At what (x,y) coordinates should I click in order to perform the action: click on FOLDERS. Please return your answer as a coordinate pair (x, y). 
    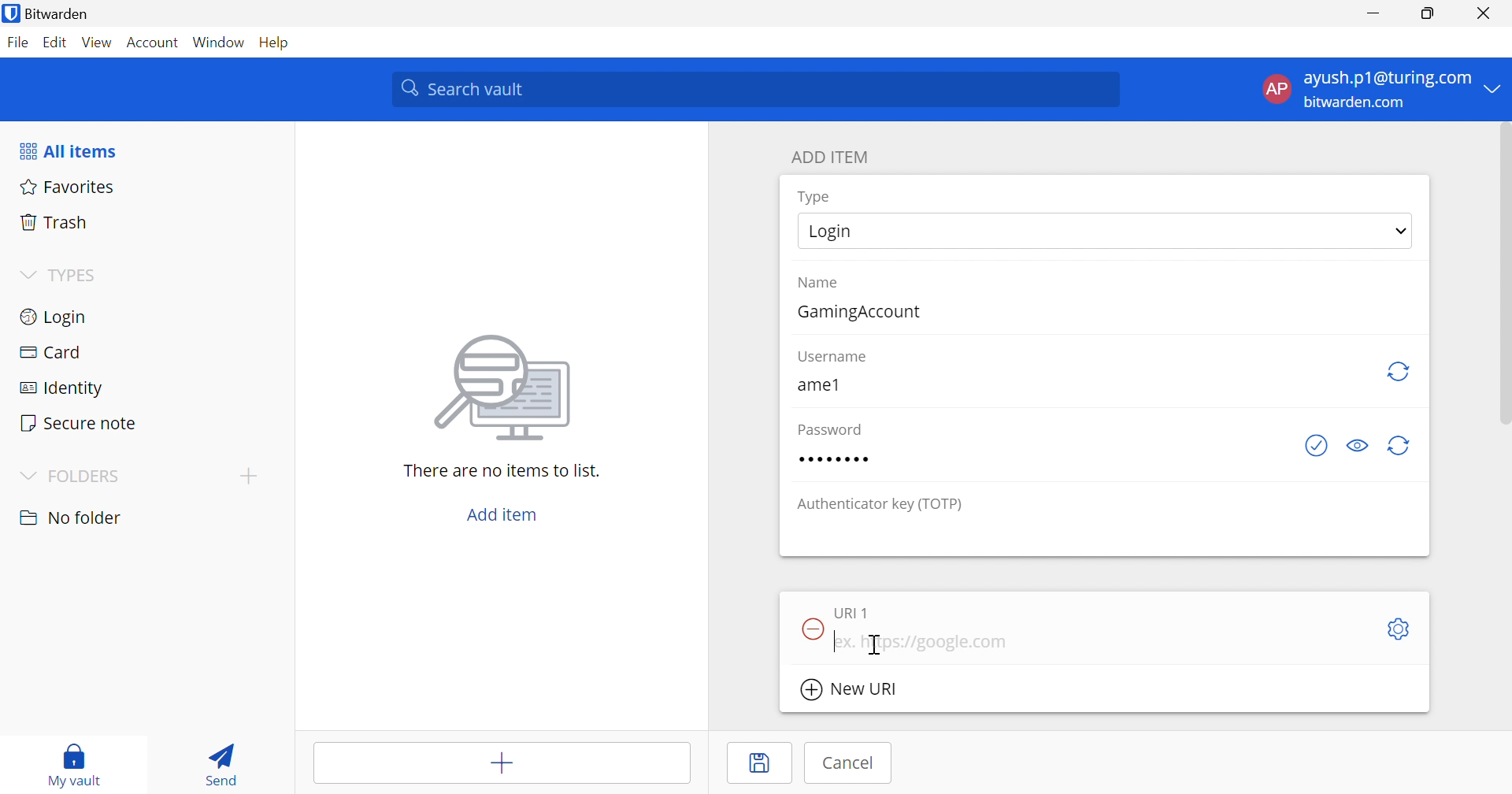
    Looking at the image, I should click on (87, 477).